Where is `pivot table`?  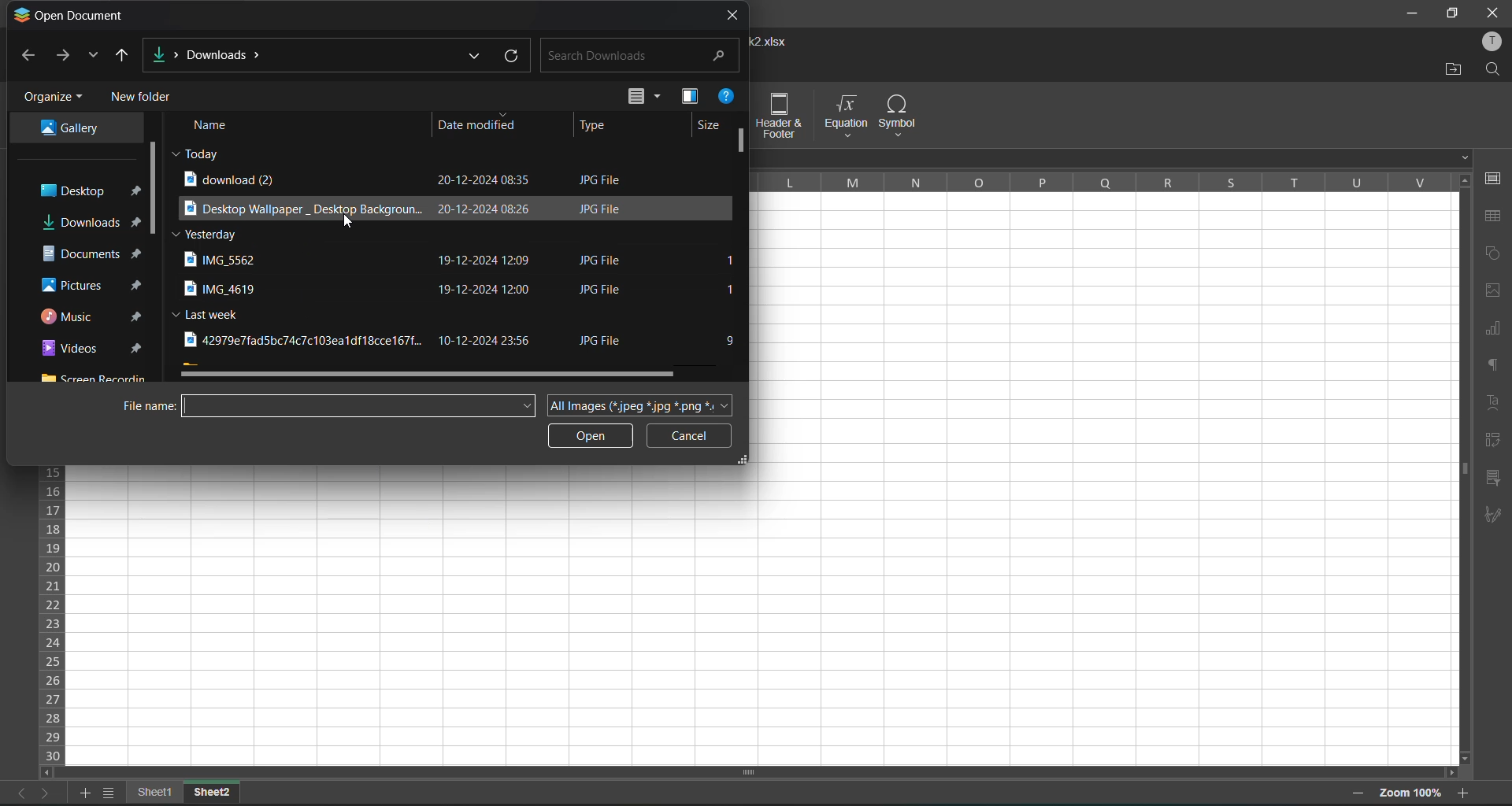 pivot table is located at coordinates (1496, 440).